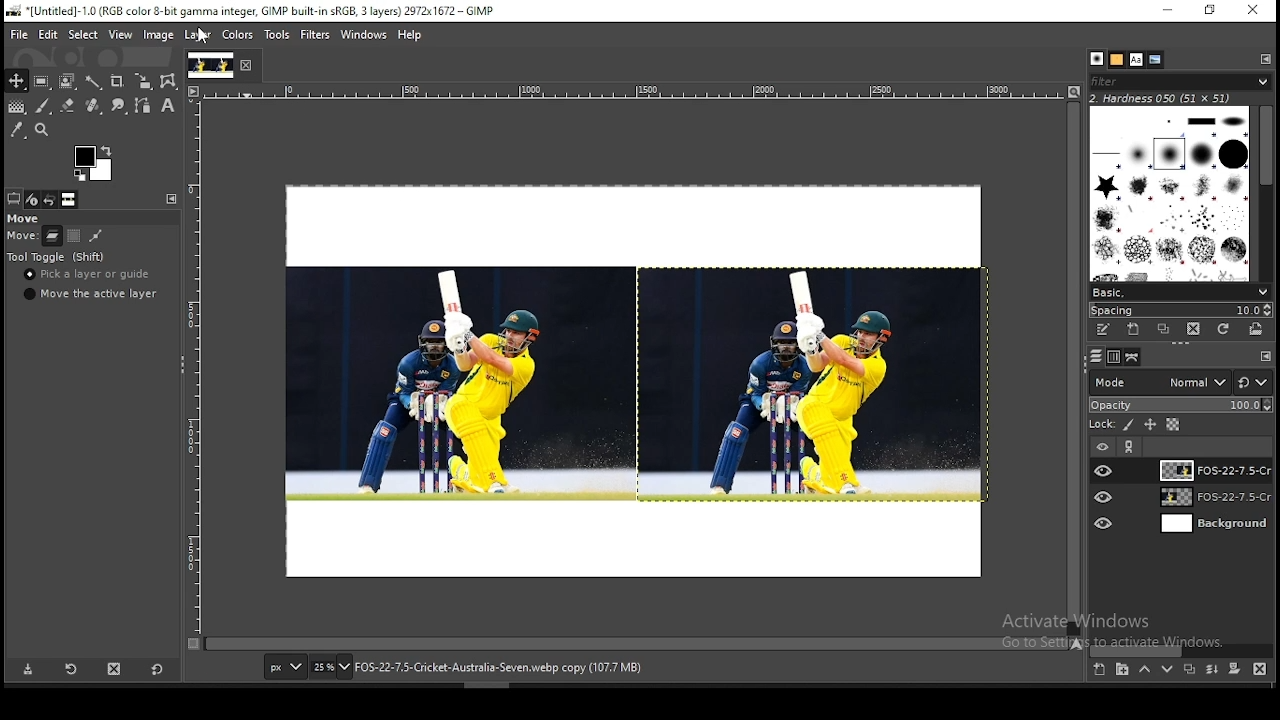 Image resolution: width=1280 pixels, height=720 pixels. I want to click on tool, so click(169, 198).